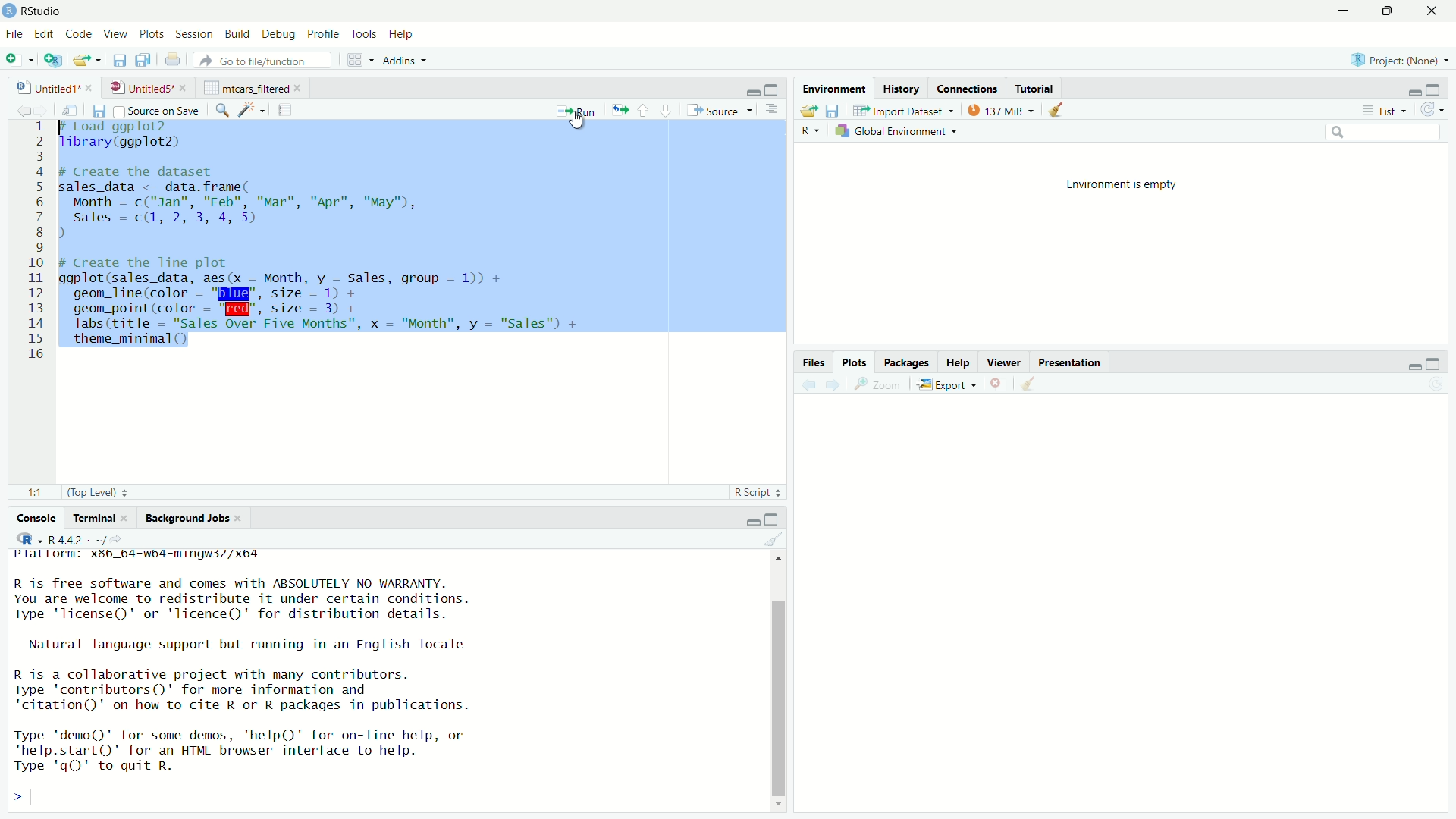 The height and width of the screenshot is (819, 1456). I want to click on environment is empty, so click(1122, 185).